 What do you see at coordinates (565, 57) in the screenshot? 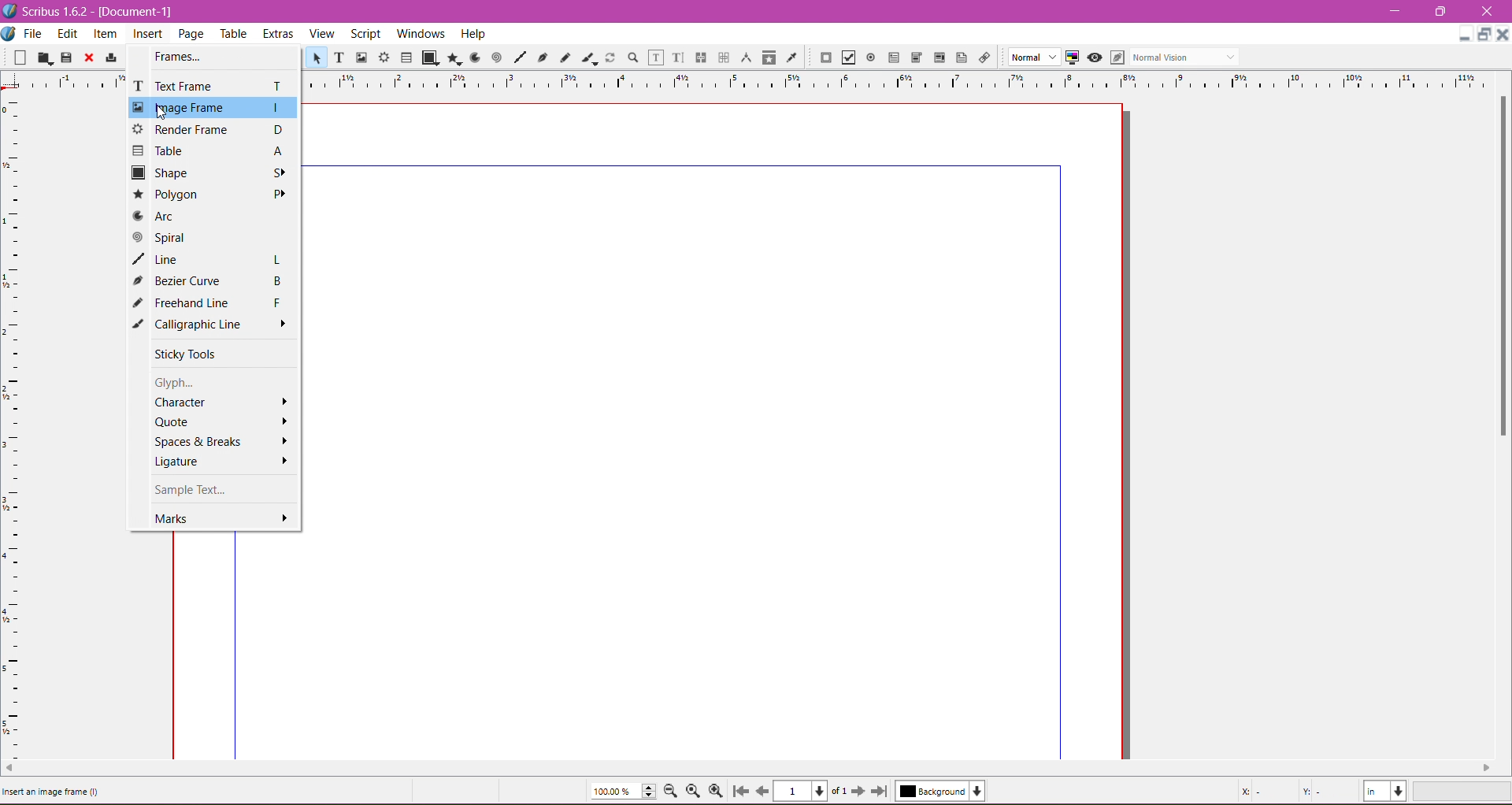
I see `Freehand Line` at bounding box center [565, 57].